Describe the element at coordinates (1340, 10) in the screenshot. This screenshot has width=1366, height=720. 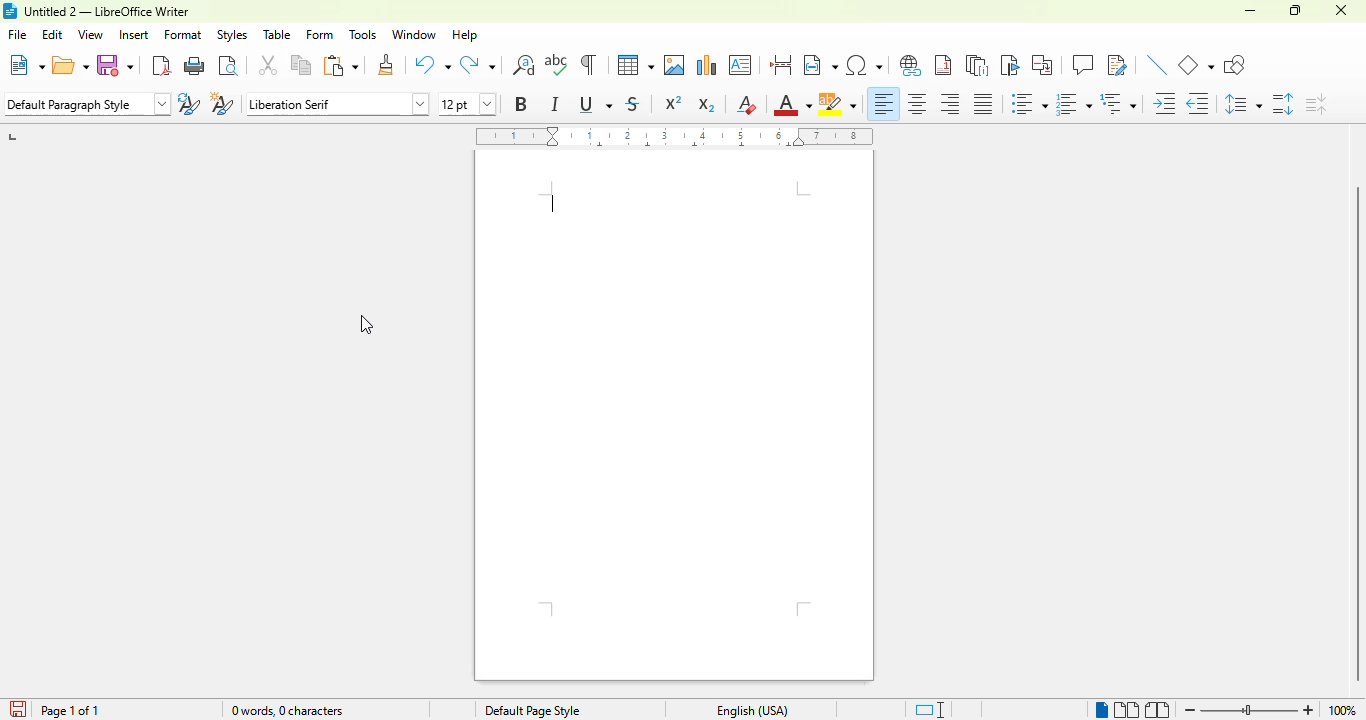
I see `close` at that location.